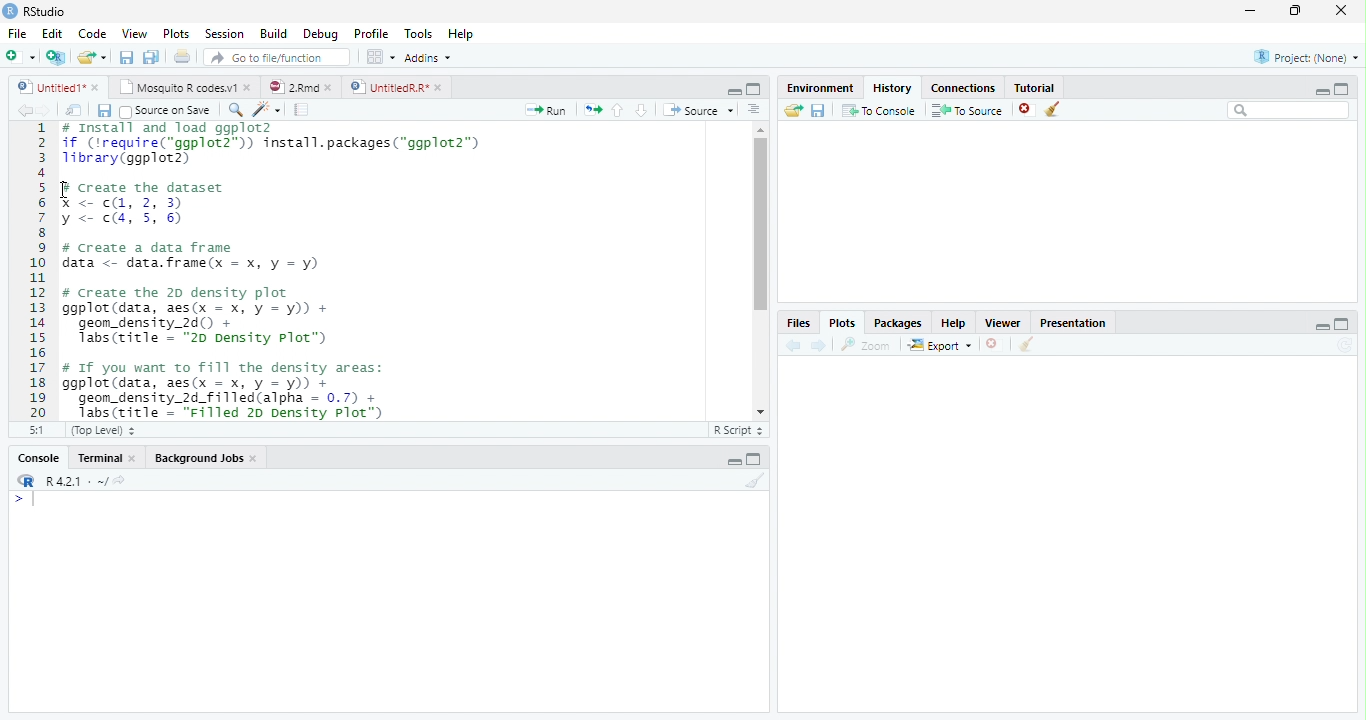  Describe the element at coordinates (302, 111) in the screenshot. I see `compile report` at that location.